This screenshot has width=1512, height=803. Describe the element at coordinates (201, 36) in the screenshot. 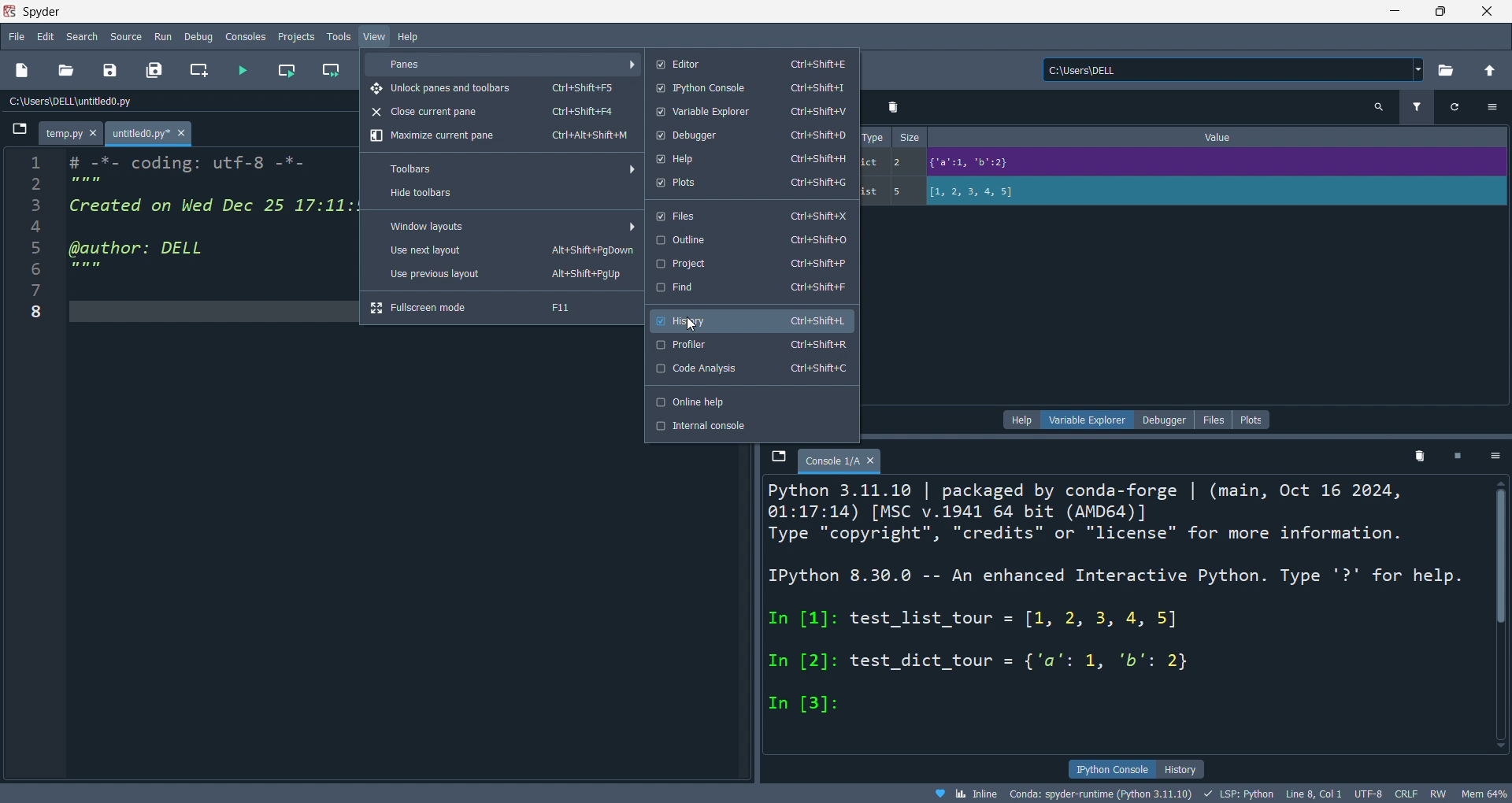

I see `debug` at that location.